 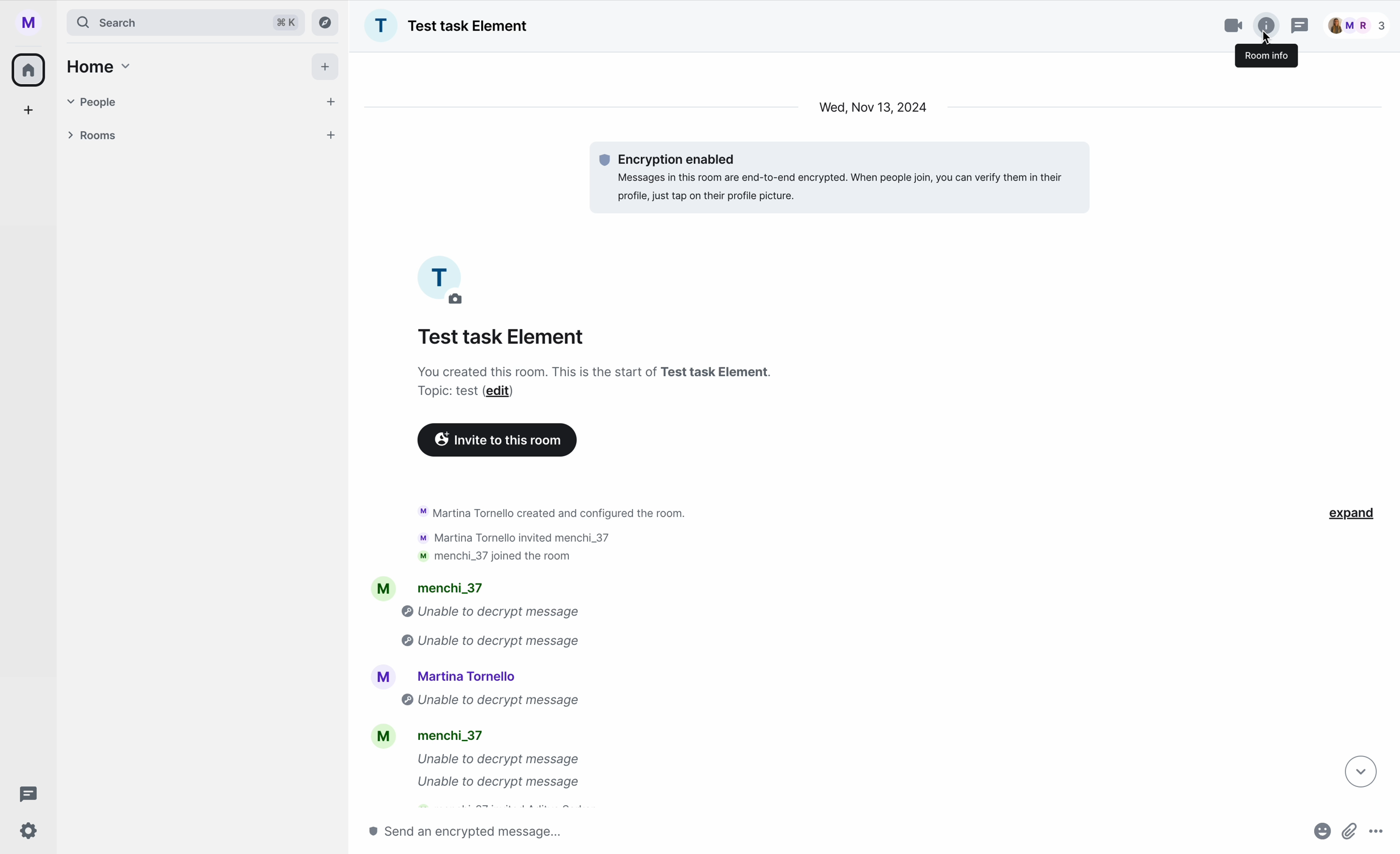 I want to click on threads, so click(x=1302, y=27).